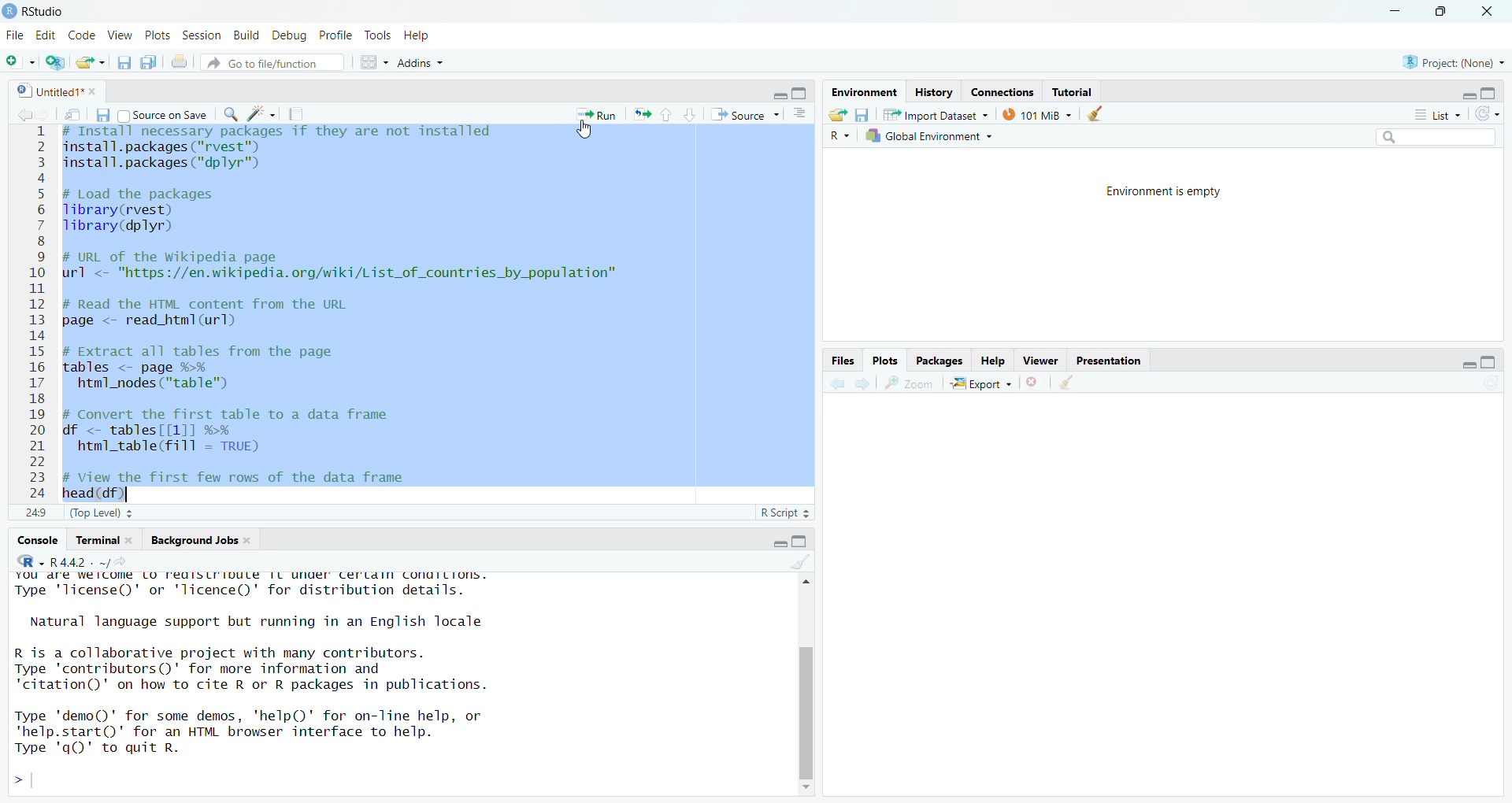  What do you see at coordinates (232, 114) in the screenshot?
I see `search` at bounding box center [232, 114].